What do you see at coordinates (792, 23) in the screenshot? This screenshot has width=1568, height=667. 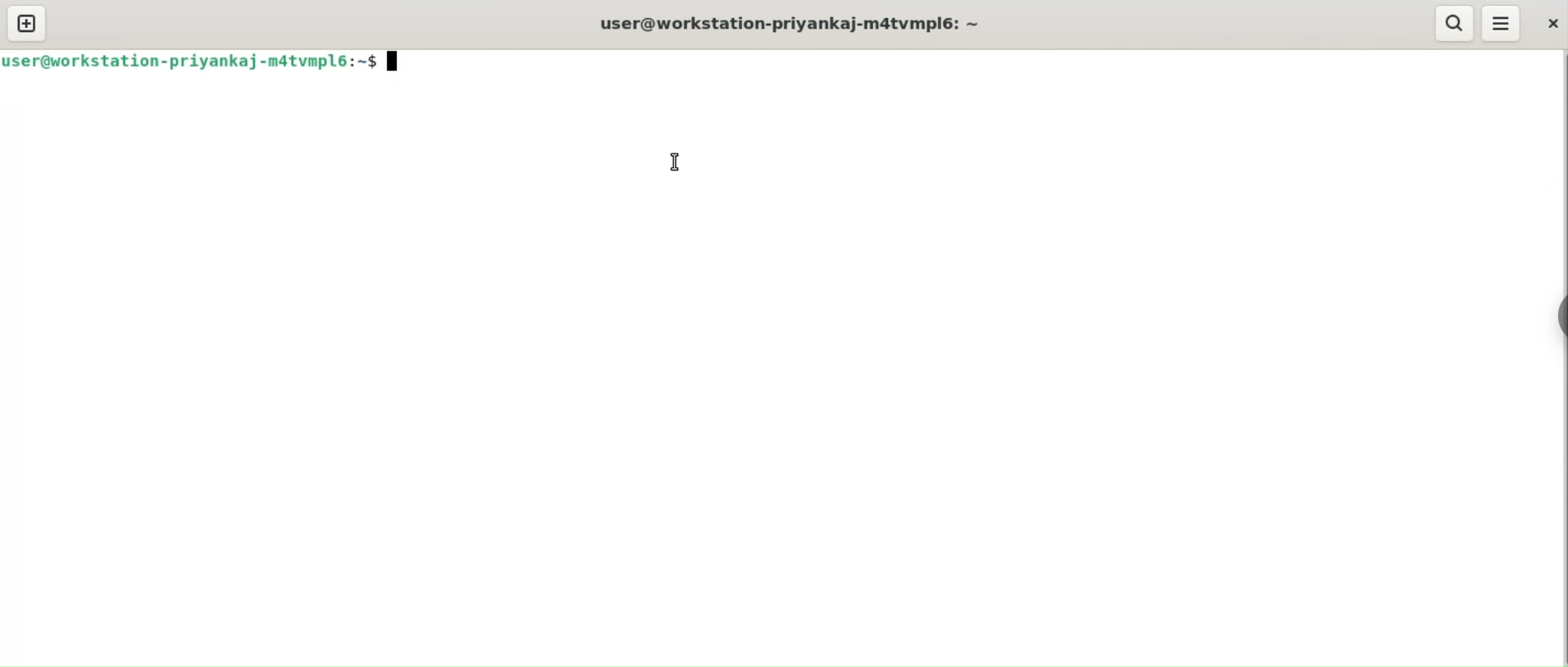 I see `user@workstation-priyankaj-m4tvmlp6:~` at bounding box center [792, 23].